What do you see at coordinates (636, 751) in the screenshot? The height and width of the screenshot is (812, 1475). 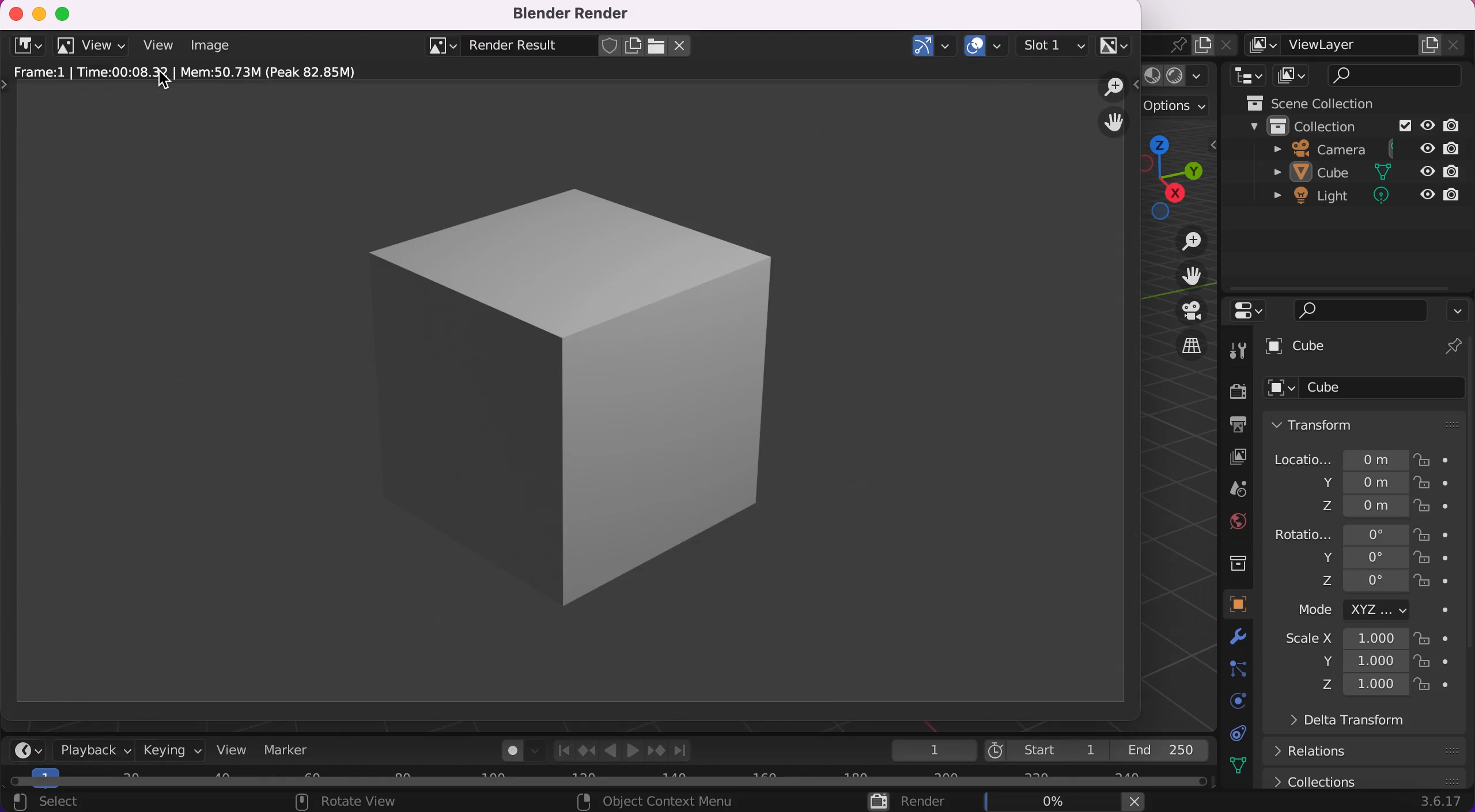 I see `Play animation` at bounding box center [636, 751].